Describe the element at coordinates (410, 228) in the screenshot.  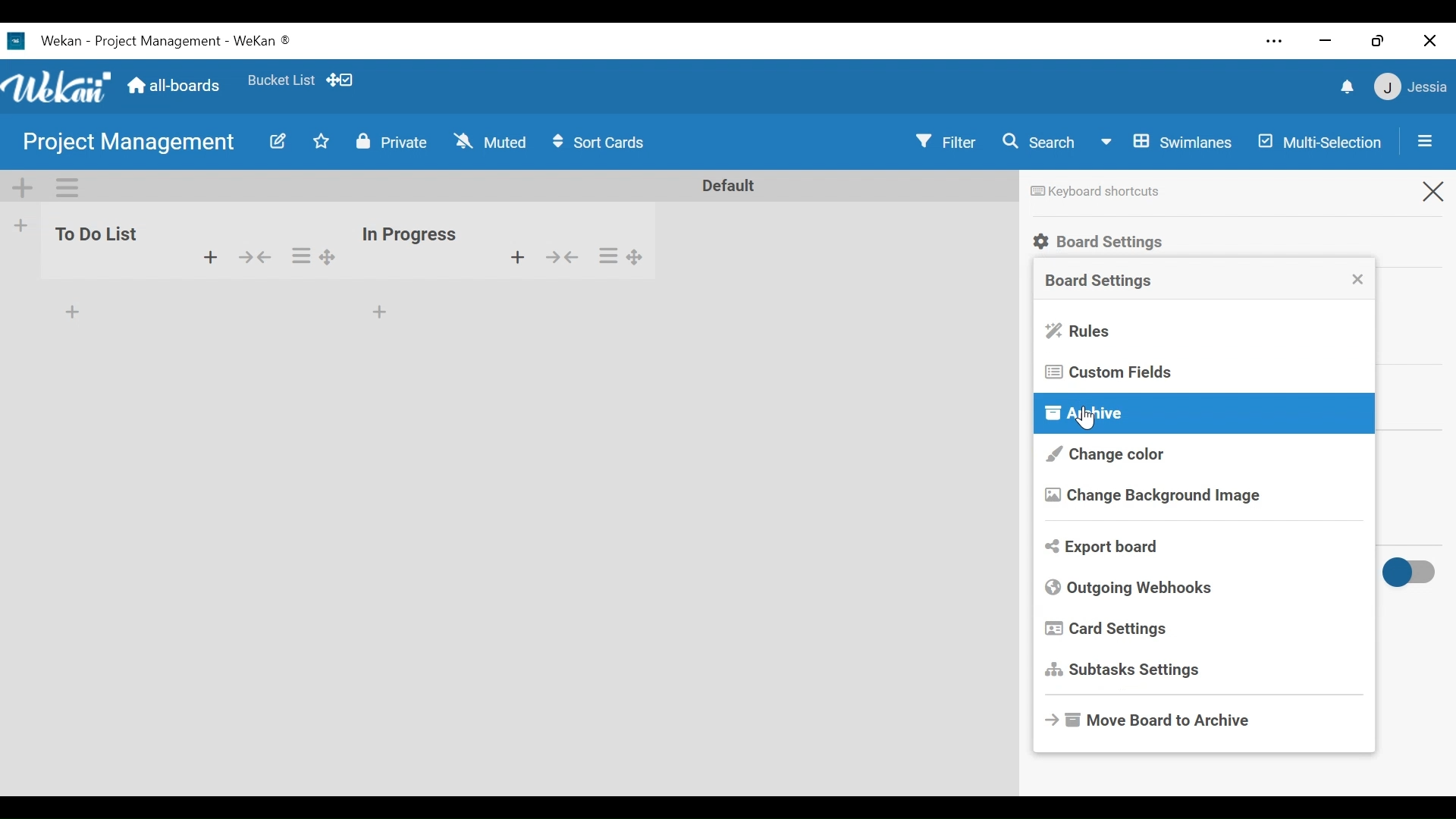
I see `inn progress` at that location.